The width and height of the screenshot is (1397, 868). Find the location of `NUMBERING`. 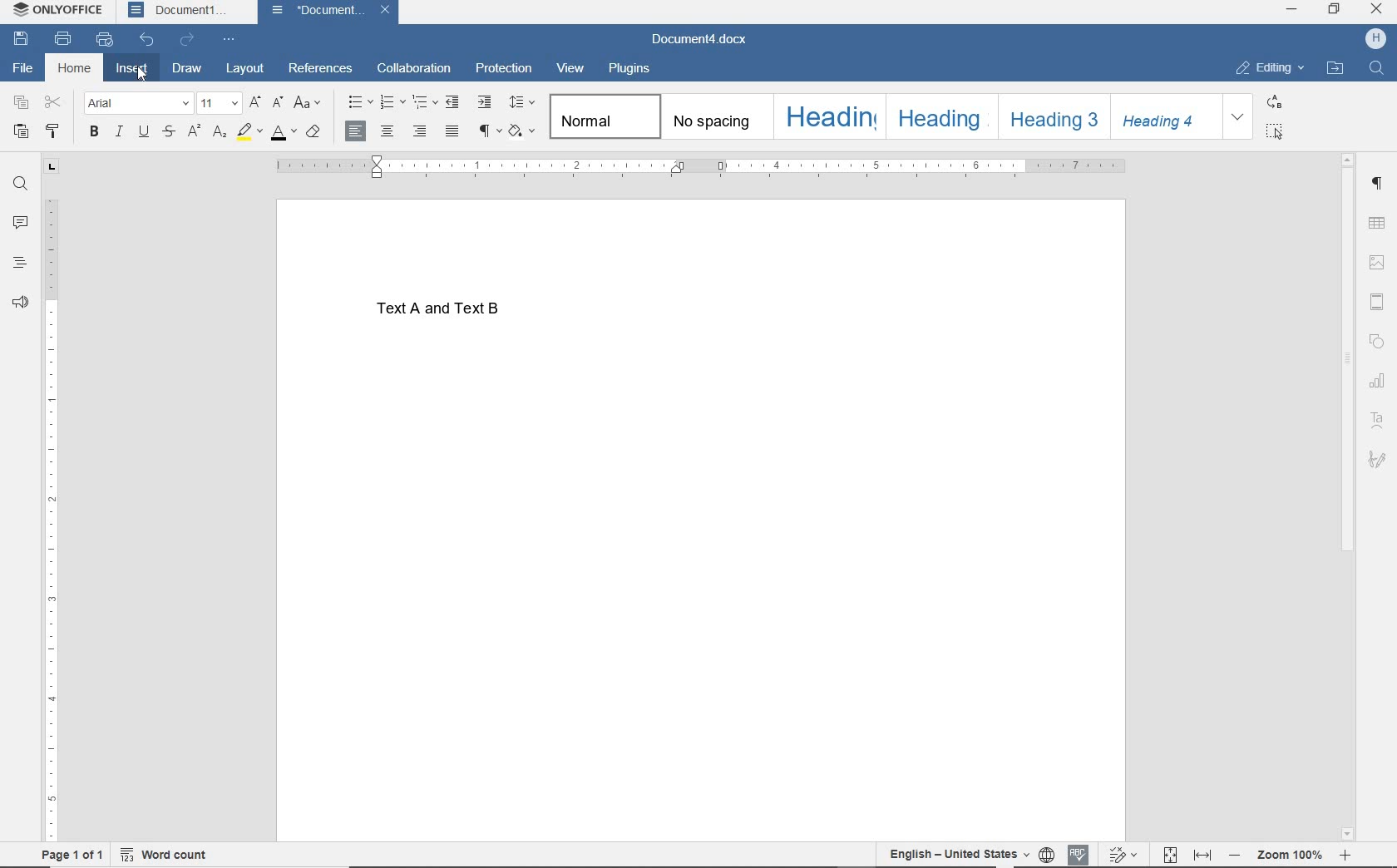

NUMBERING is located at coordinates (391, 103).